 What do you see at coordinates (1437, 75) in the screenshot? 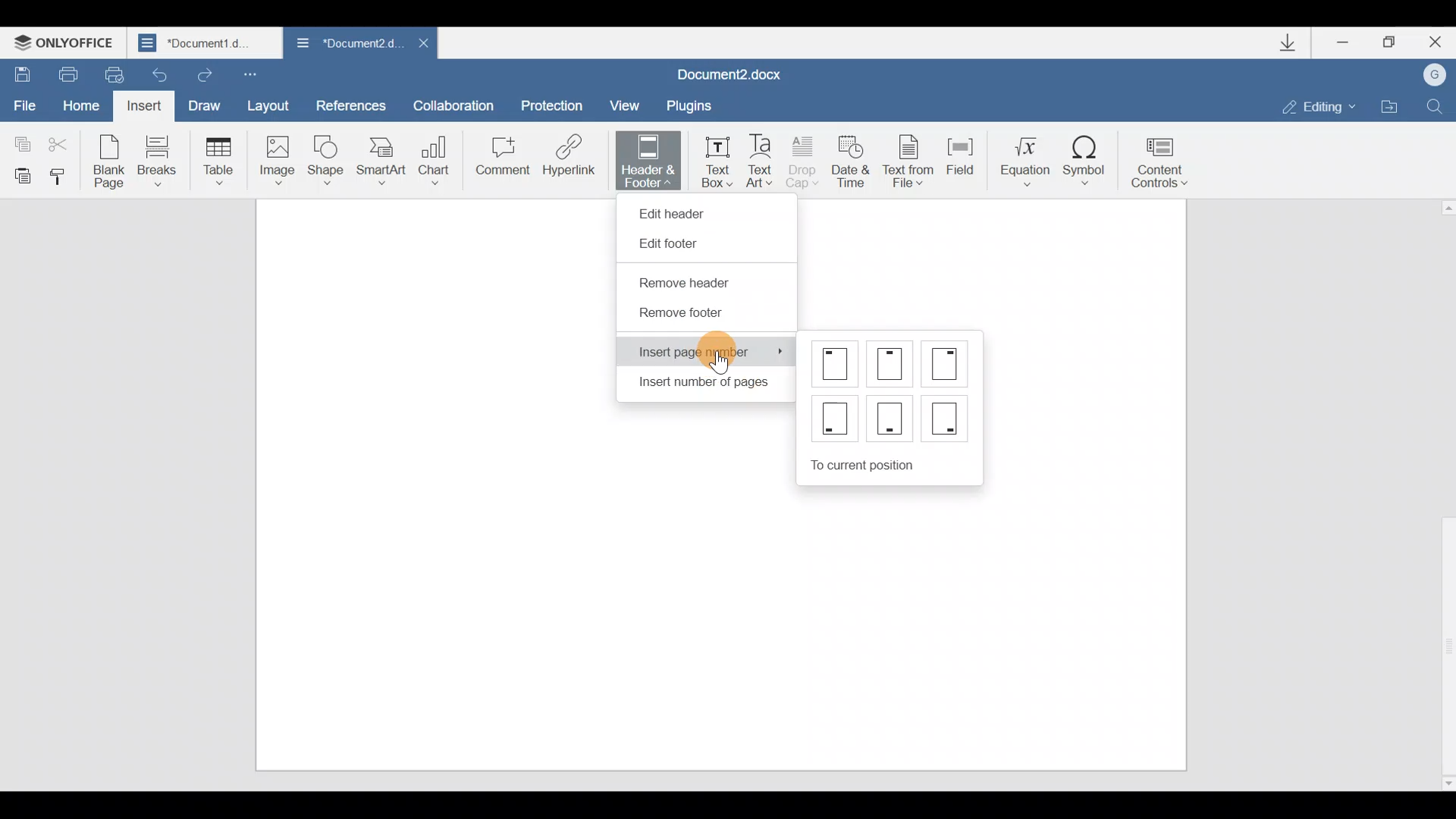
I see `Account name` at bounding box center [1437, 75].